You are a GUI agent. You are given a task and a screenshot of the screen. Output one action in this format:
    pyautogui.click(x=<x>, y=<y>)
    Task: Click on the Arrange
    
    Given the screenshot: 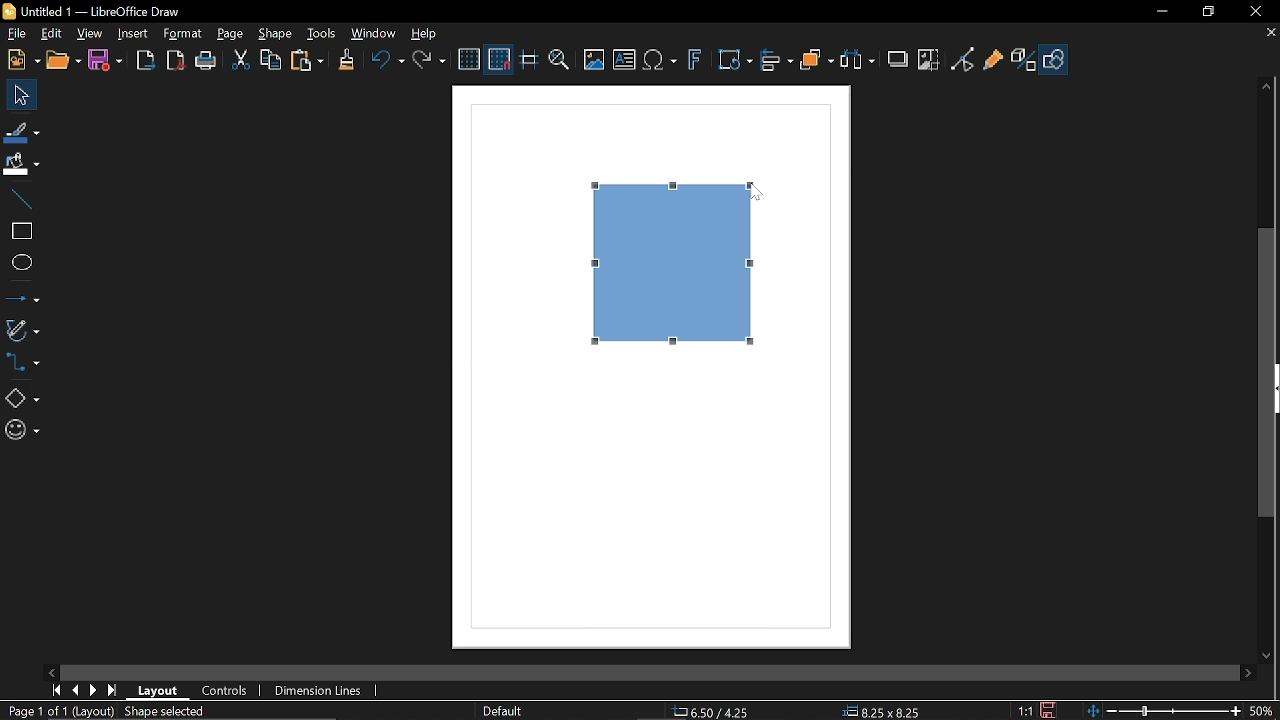 What is the action you would take?
    pyautogui.click(x=818, y=62)
    